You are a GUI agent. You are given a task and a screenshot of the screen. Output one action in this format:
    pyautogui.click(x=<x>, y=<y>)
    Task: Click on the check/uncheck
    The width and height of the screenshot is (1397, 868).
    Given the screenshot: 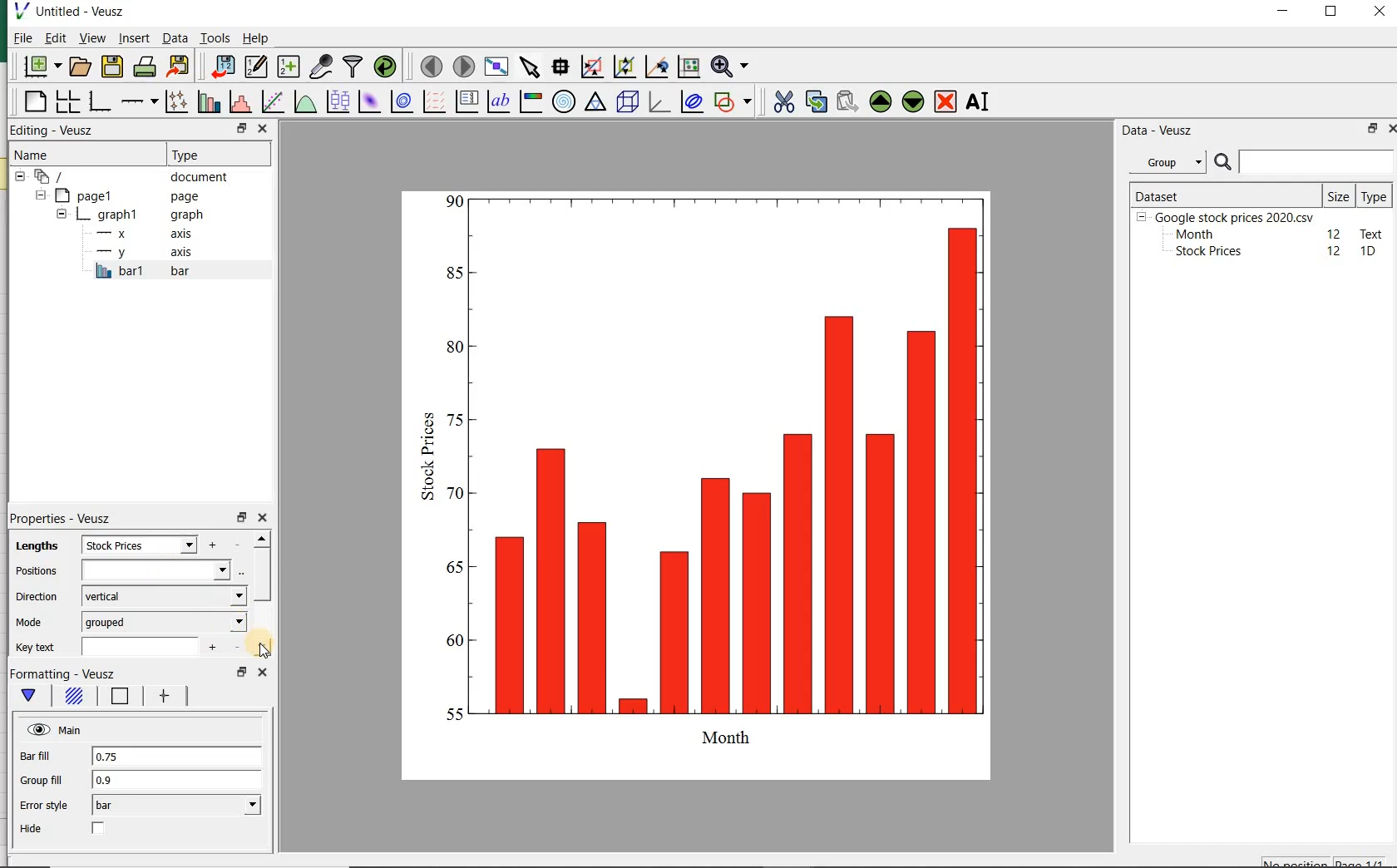 What is the action you would take?
    pyautogui.click(x=100, y=829)
    